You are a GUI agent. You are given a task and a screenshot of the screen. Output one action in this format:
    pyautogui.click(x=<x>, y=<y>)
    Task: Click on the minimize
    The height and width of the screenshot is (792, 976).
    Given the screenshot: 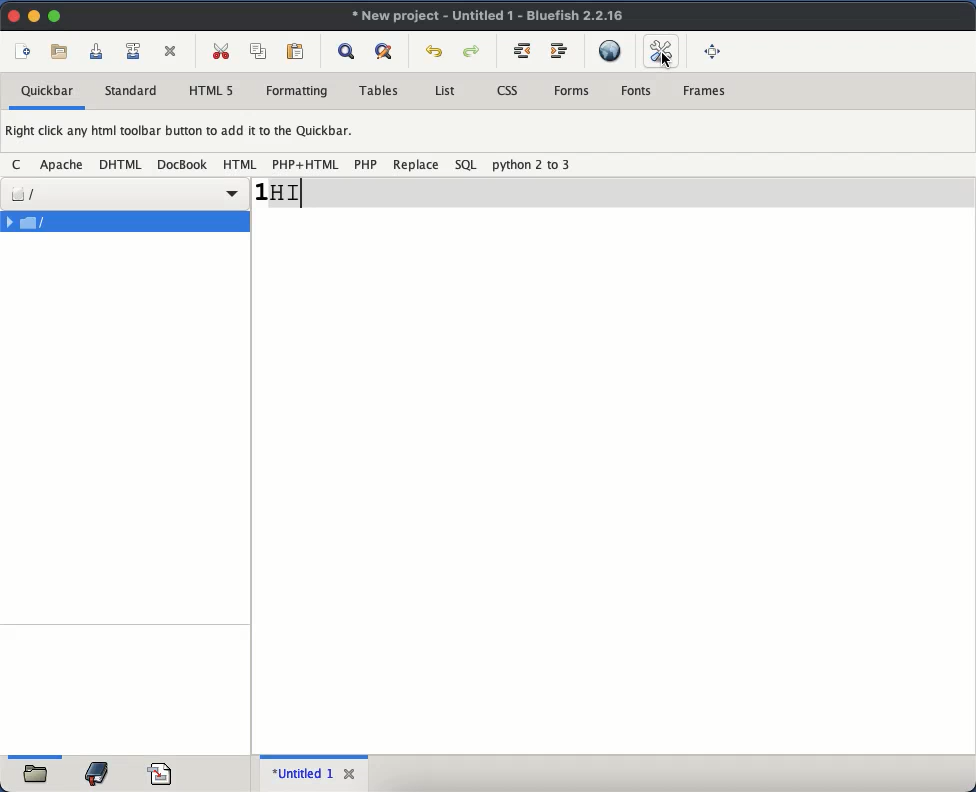 What is the action you would take?
    pyautogui.click(x=34, y=17)
    